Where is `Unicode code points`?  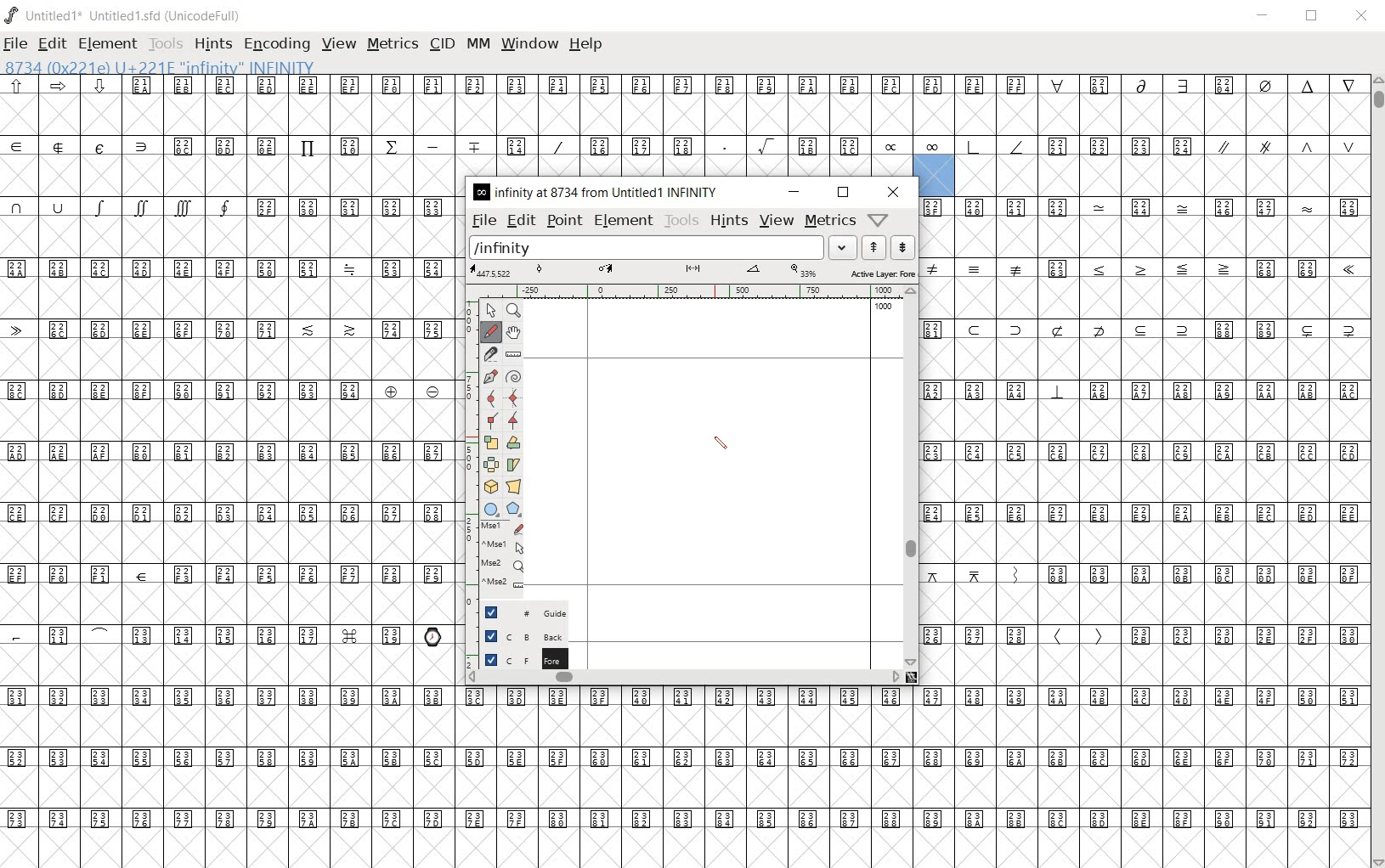
Unicode code points is located at coordinates (978, 391).